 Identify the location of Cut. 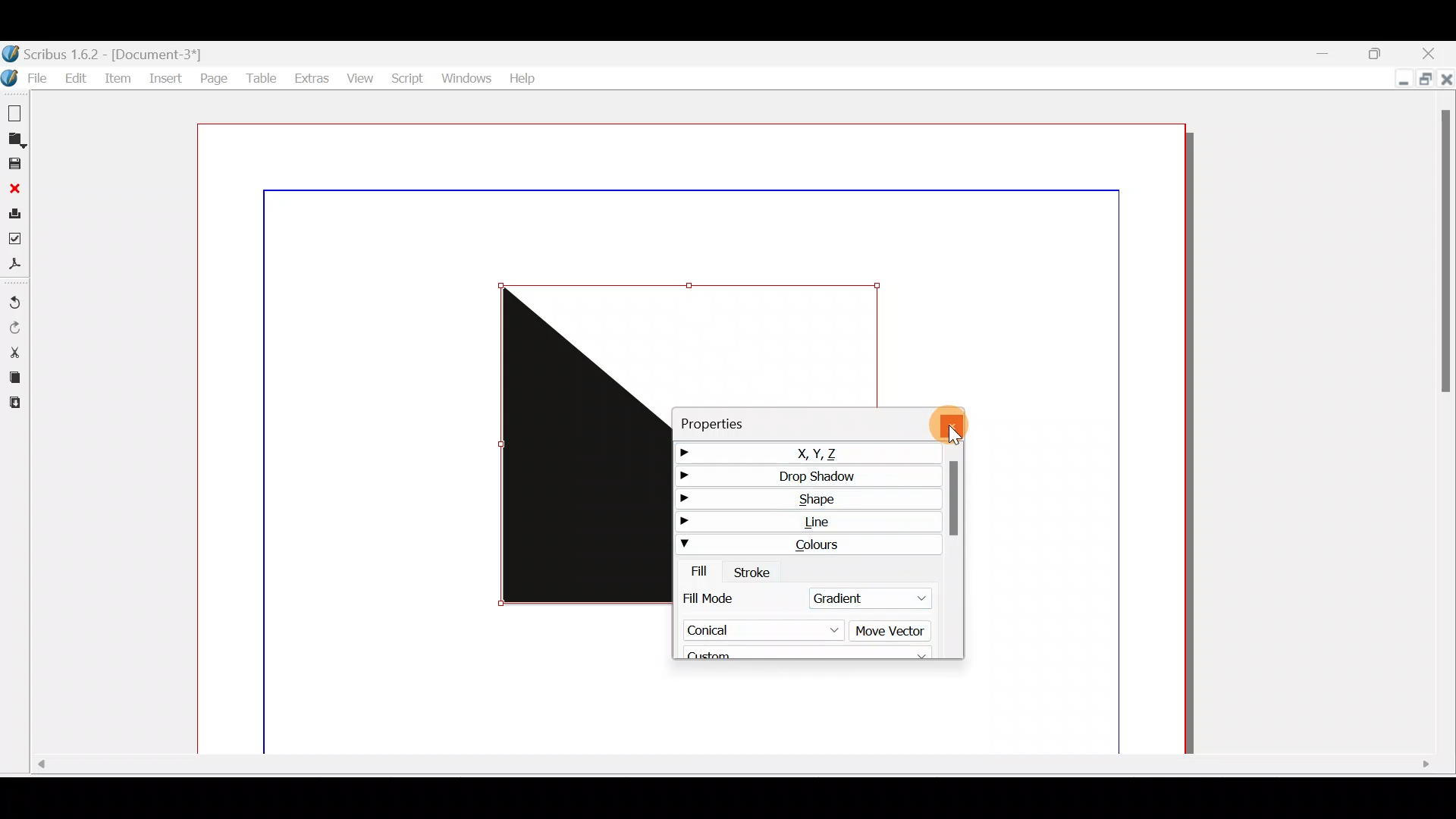
(14, 351).